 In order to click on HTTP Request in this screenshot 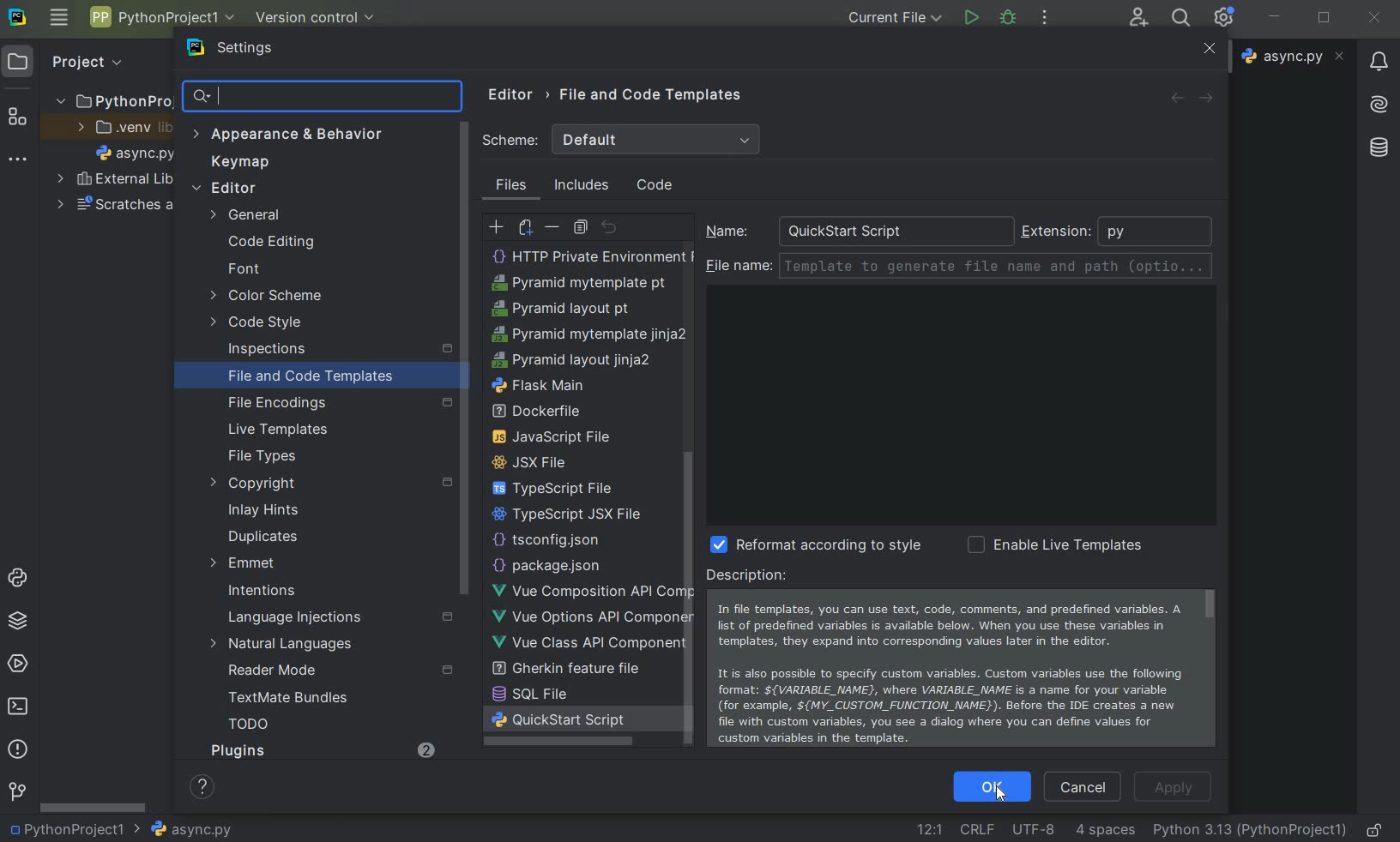, I will do `click(548, 538)`.